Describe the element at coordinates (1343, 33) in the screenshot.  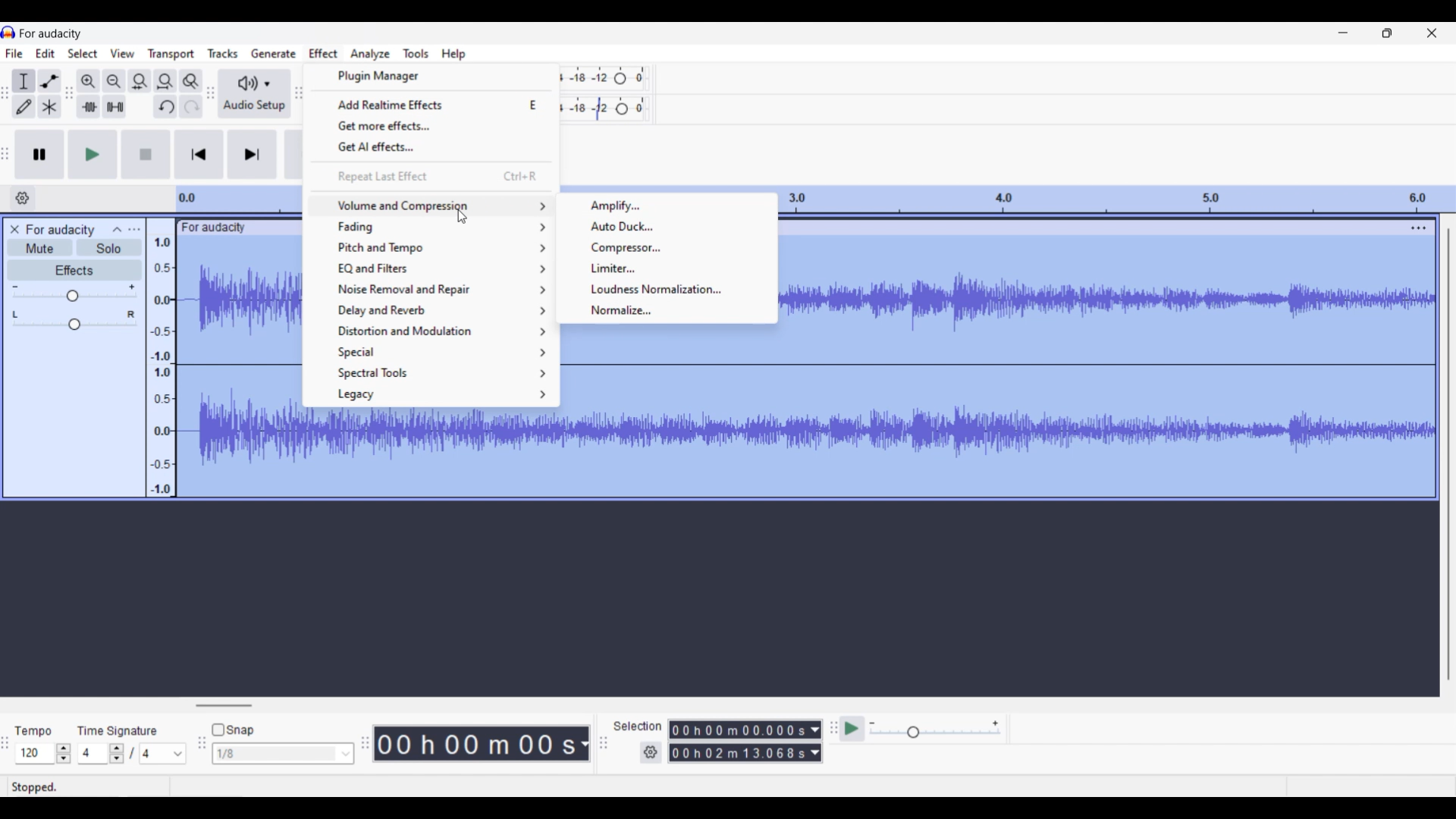
I see `Minimize ` at that location.